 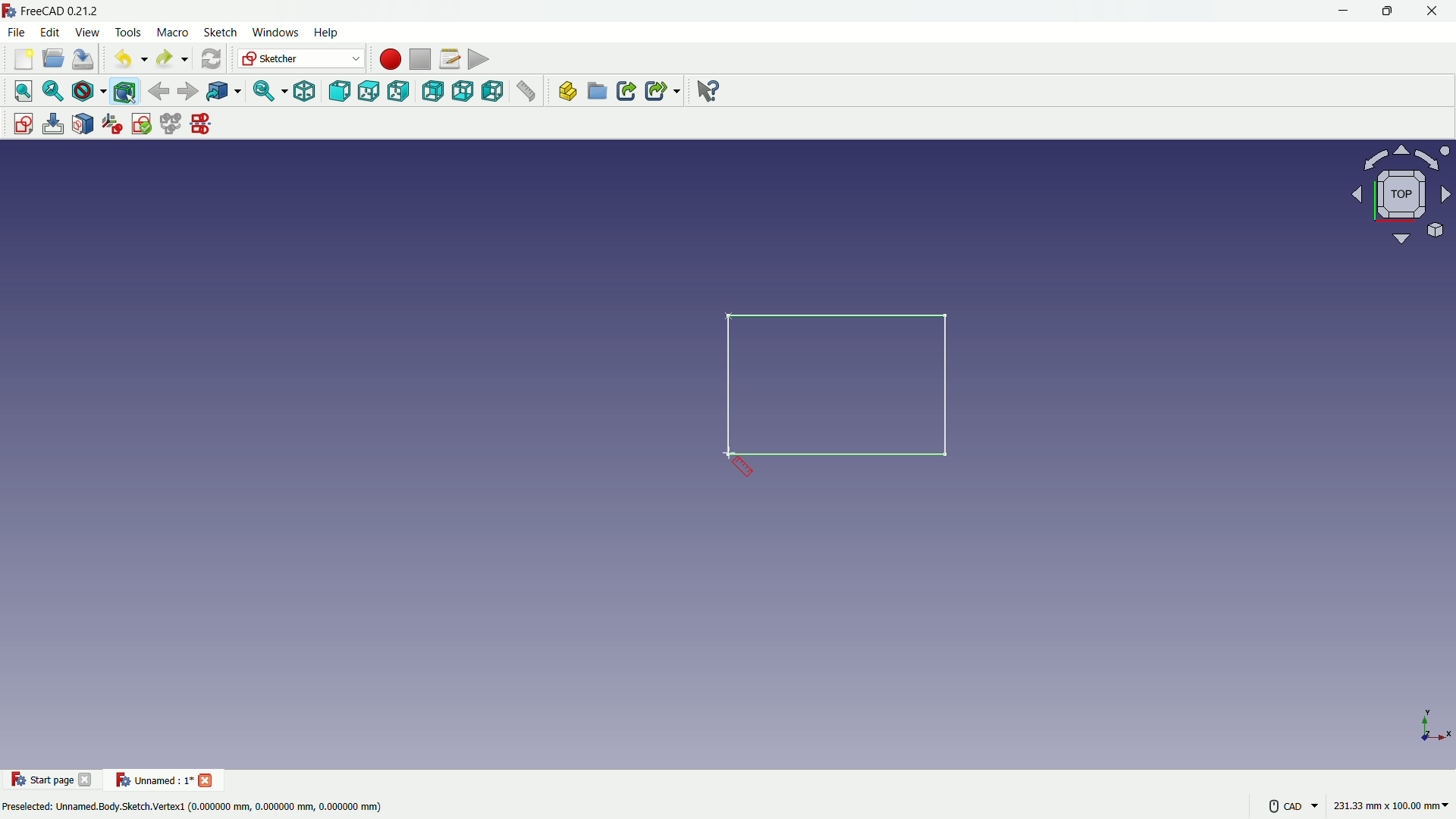 I want to click on bounding box, so click(x=127, y=91).